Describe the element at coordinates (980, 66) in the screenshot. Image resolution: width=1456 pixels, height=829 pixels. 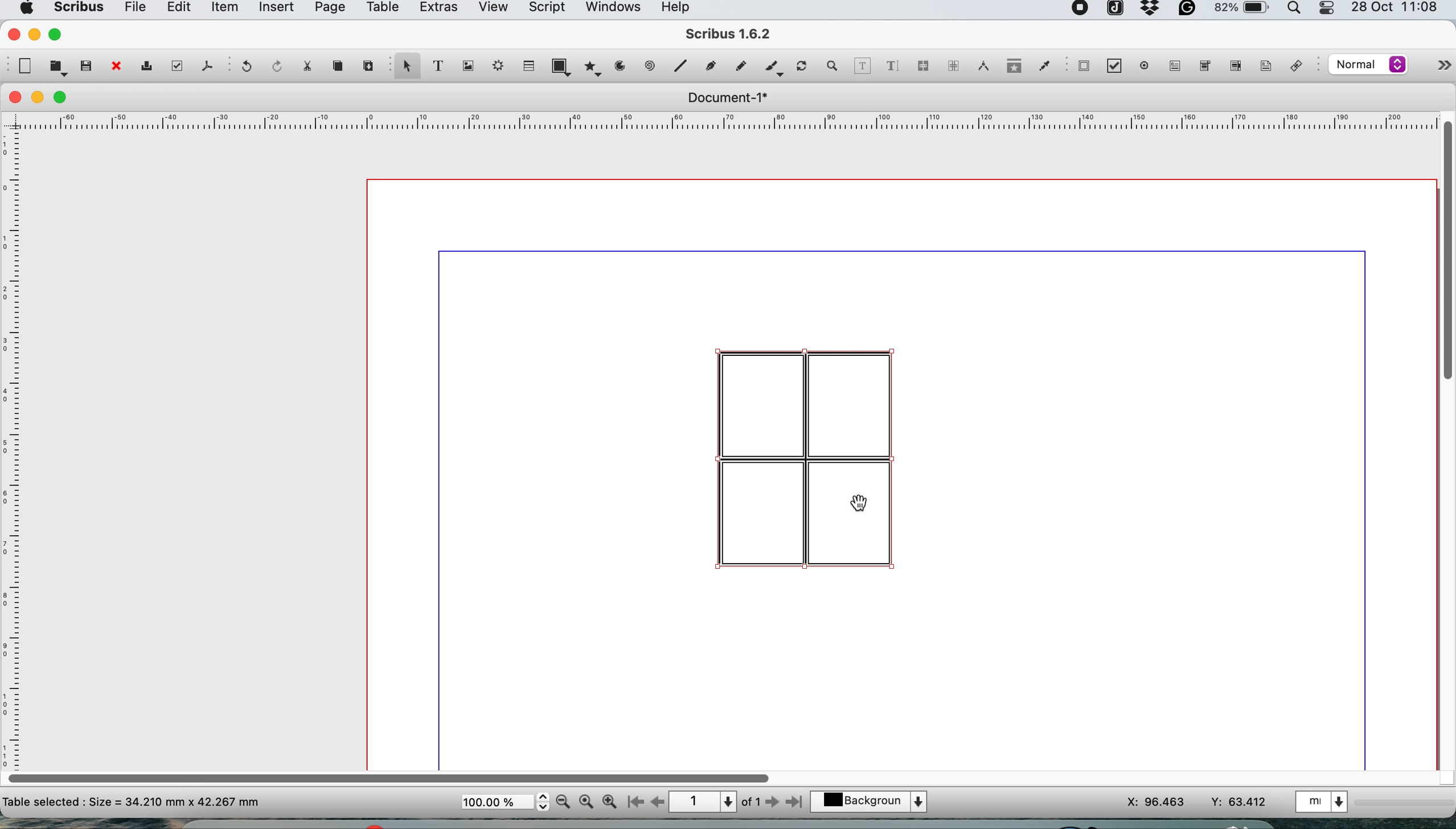
I see `measurements` at that location.